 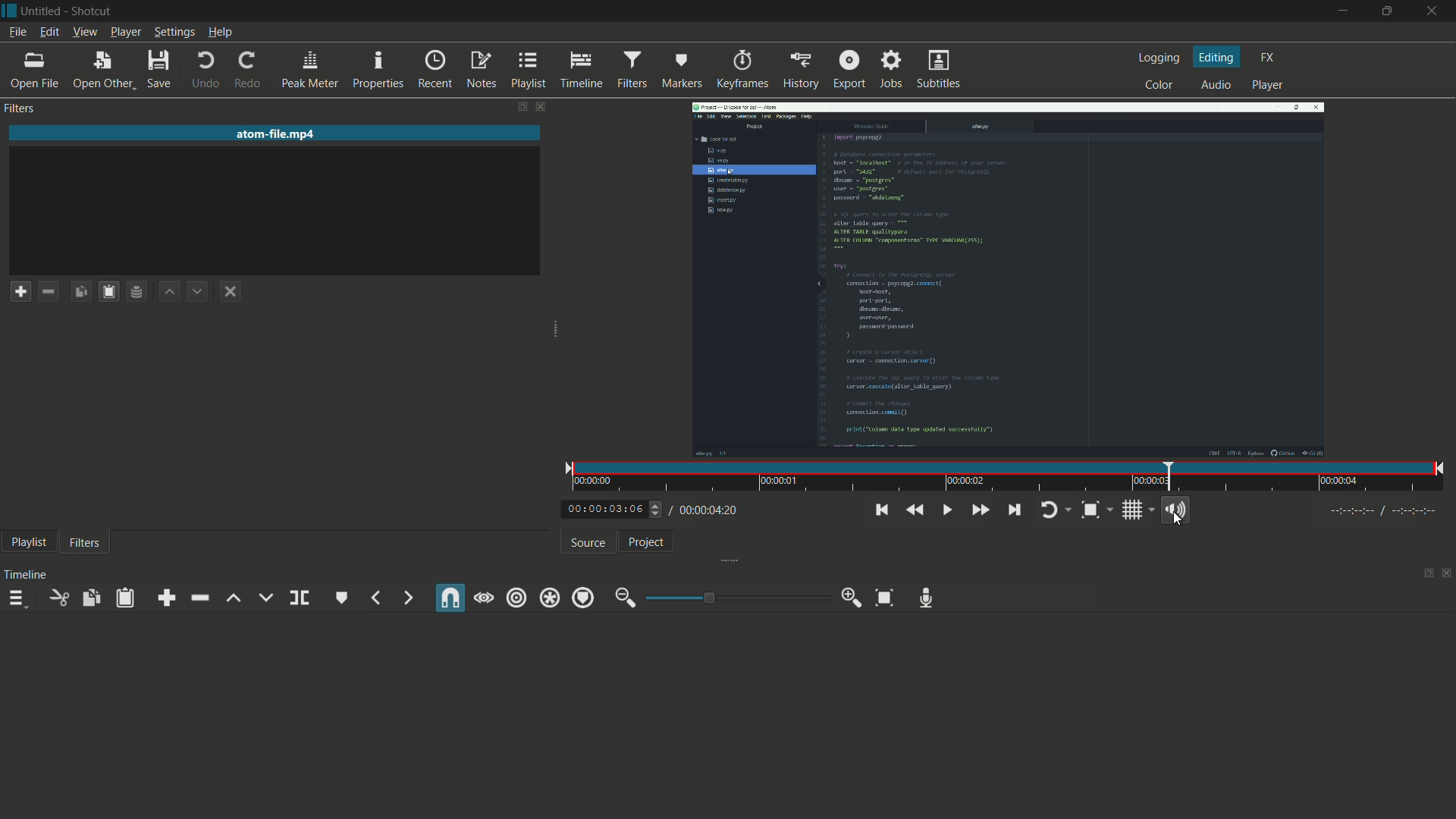 I want to click on lift, so click(x=230, y=600).